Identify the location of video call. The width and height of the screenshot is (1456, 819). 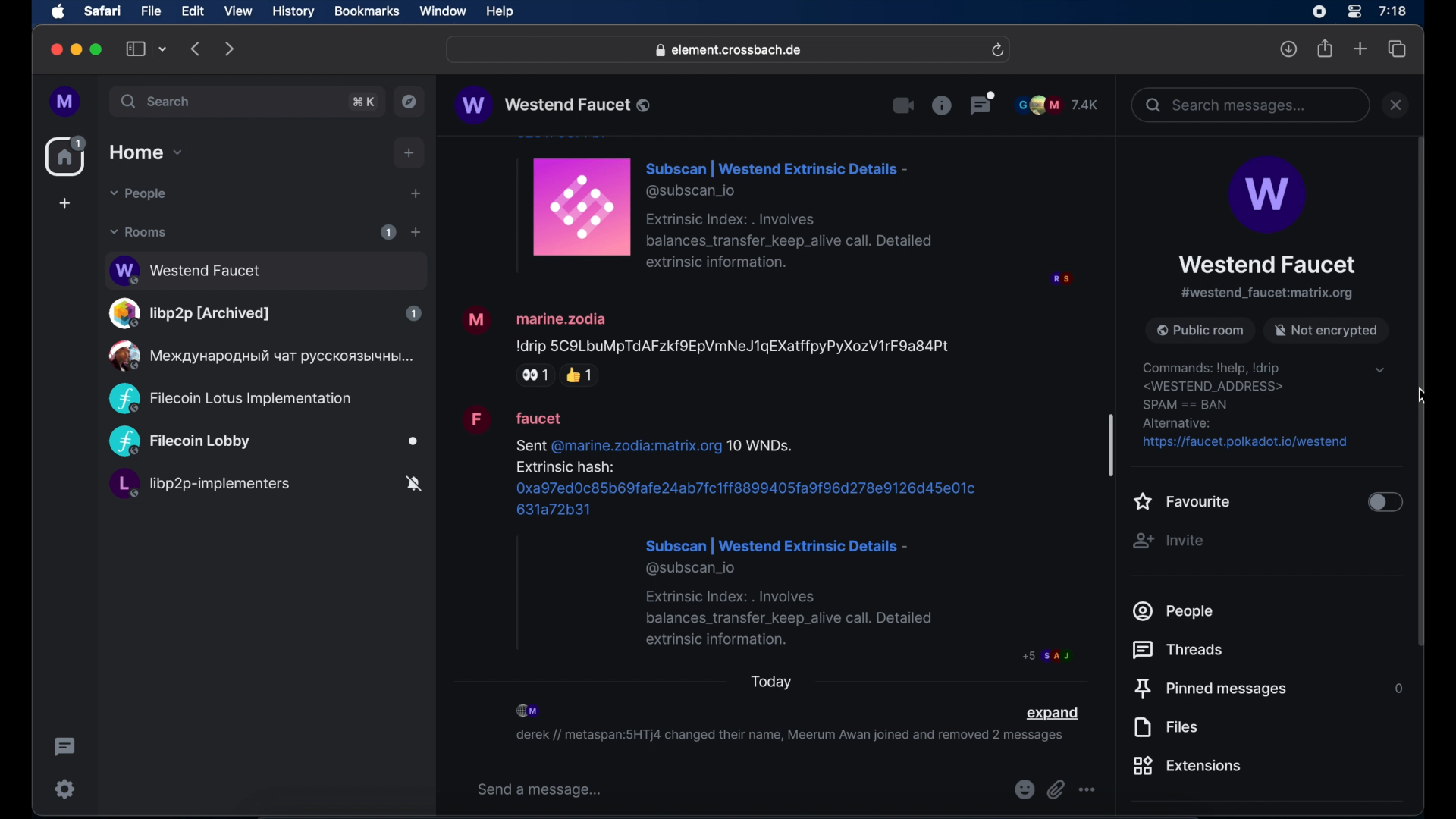
(904, 106).